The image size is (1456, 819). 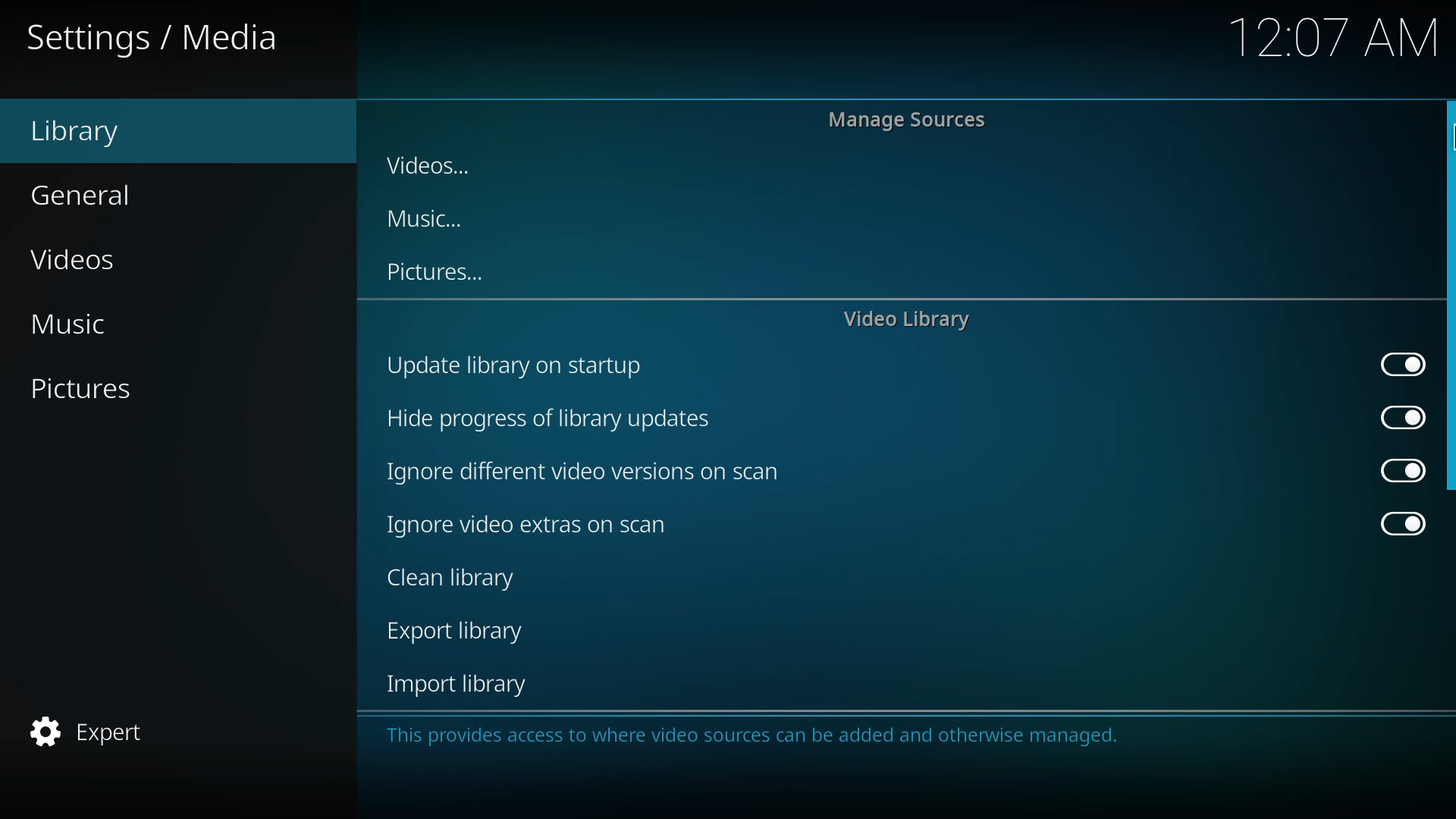 I want to click on click to enable, so click(x=1401, y=474).